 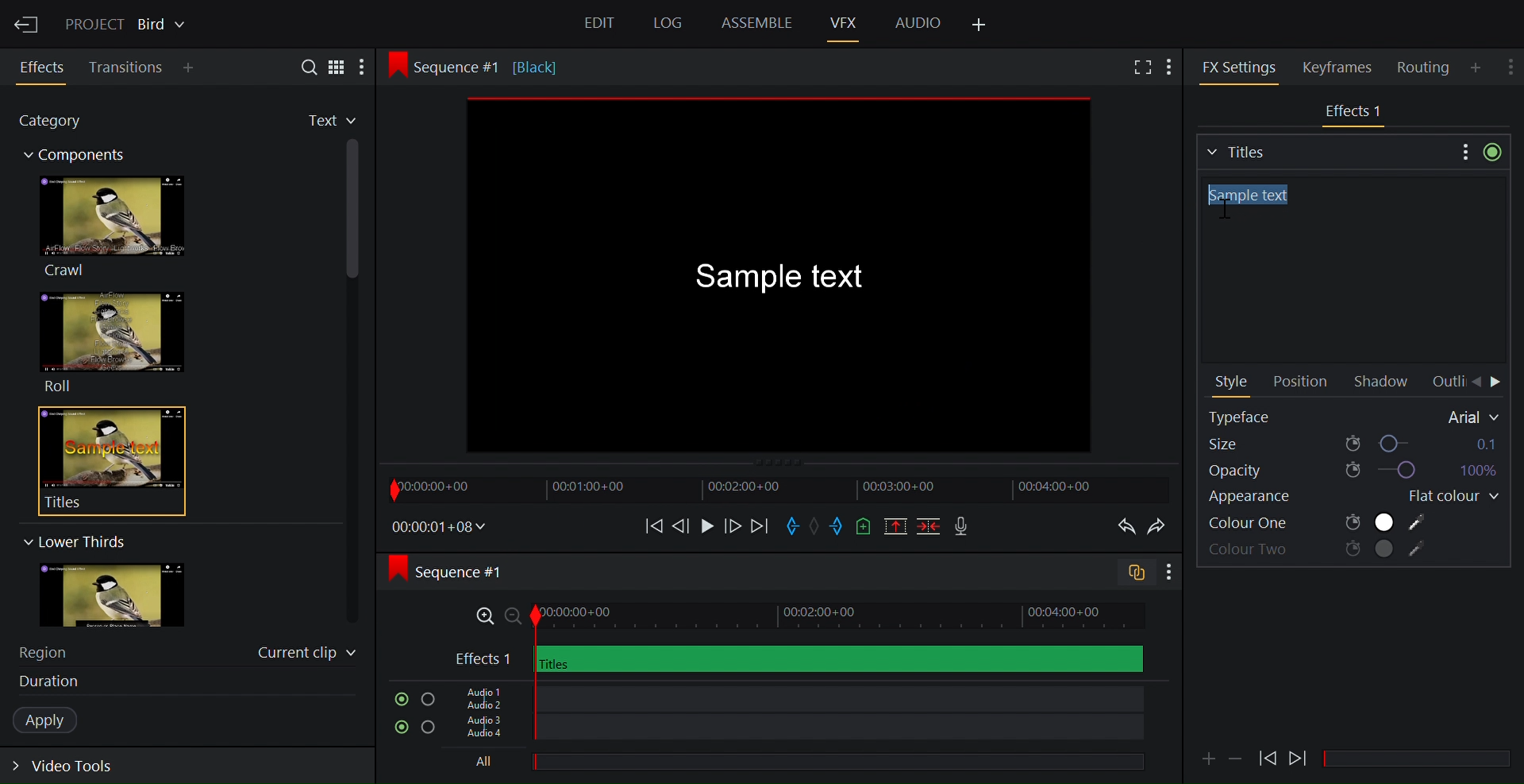 What do you see at coordinates (1351, 471) in the screenshot?
I see `Opacity` at bounding box center [1351, 471].